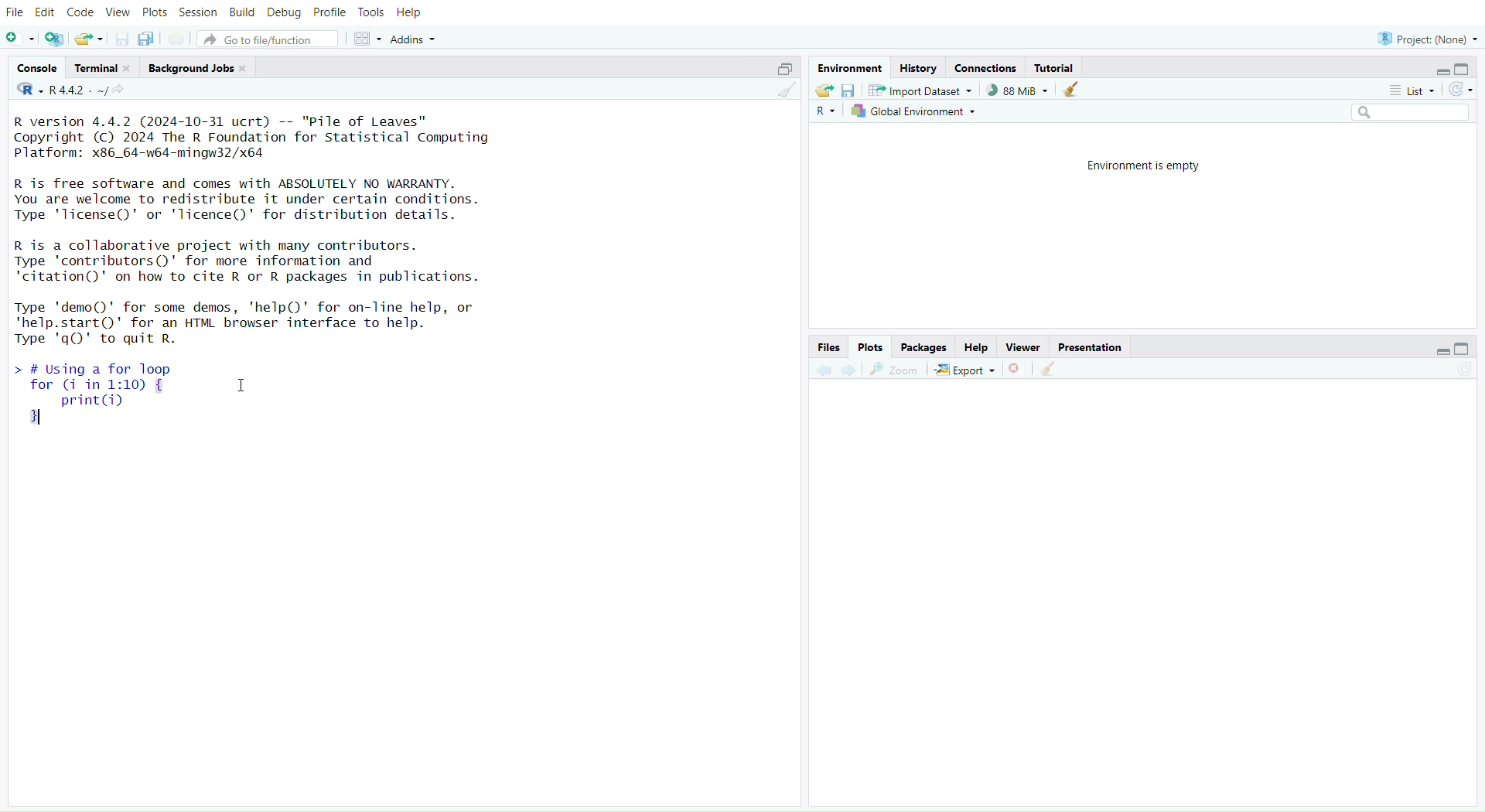 The height and width of the screenshot is (812, 1485). What do you see at coordinates (988, 67) in the screenshot?
I see `connections` at bounding box center [988, 67].